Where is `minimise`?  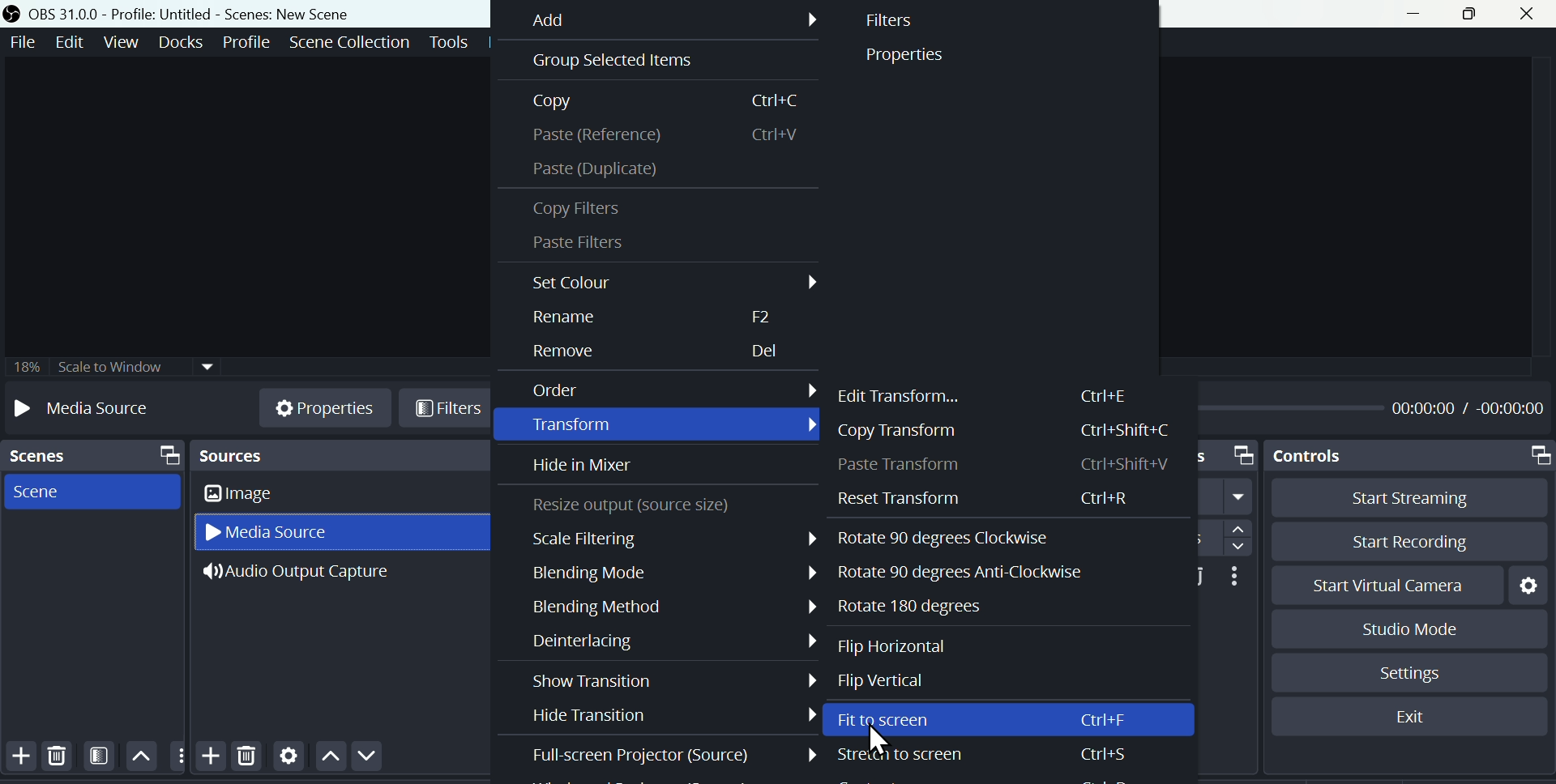 minimise is located at coordinates (1422, 13).